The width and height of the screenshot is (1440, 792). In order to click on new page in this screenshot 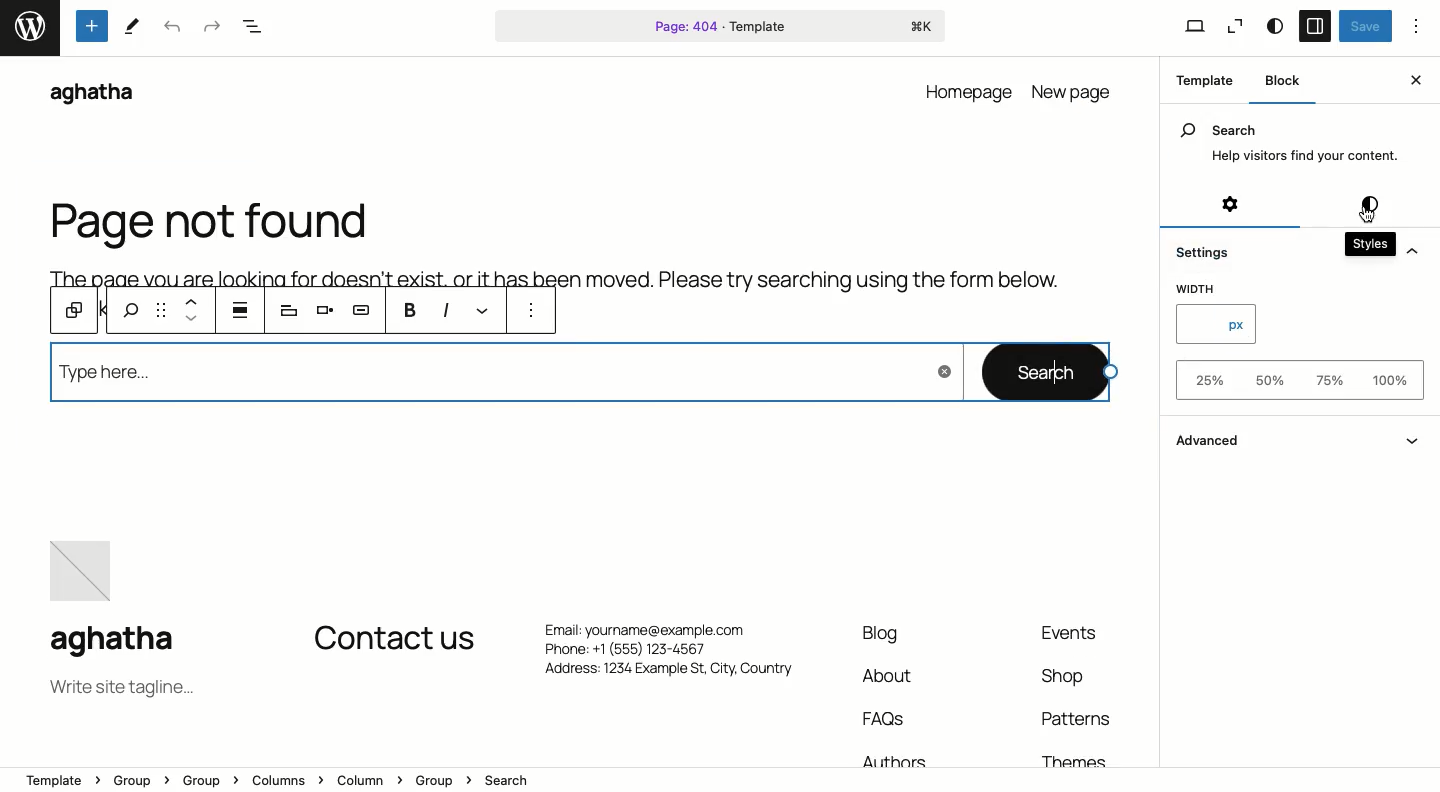, I will do `click(1075, 90)`.